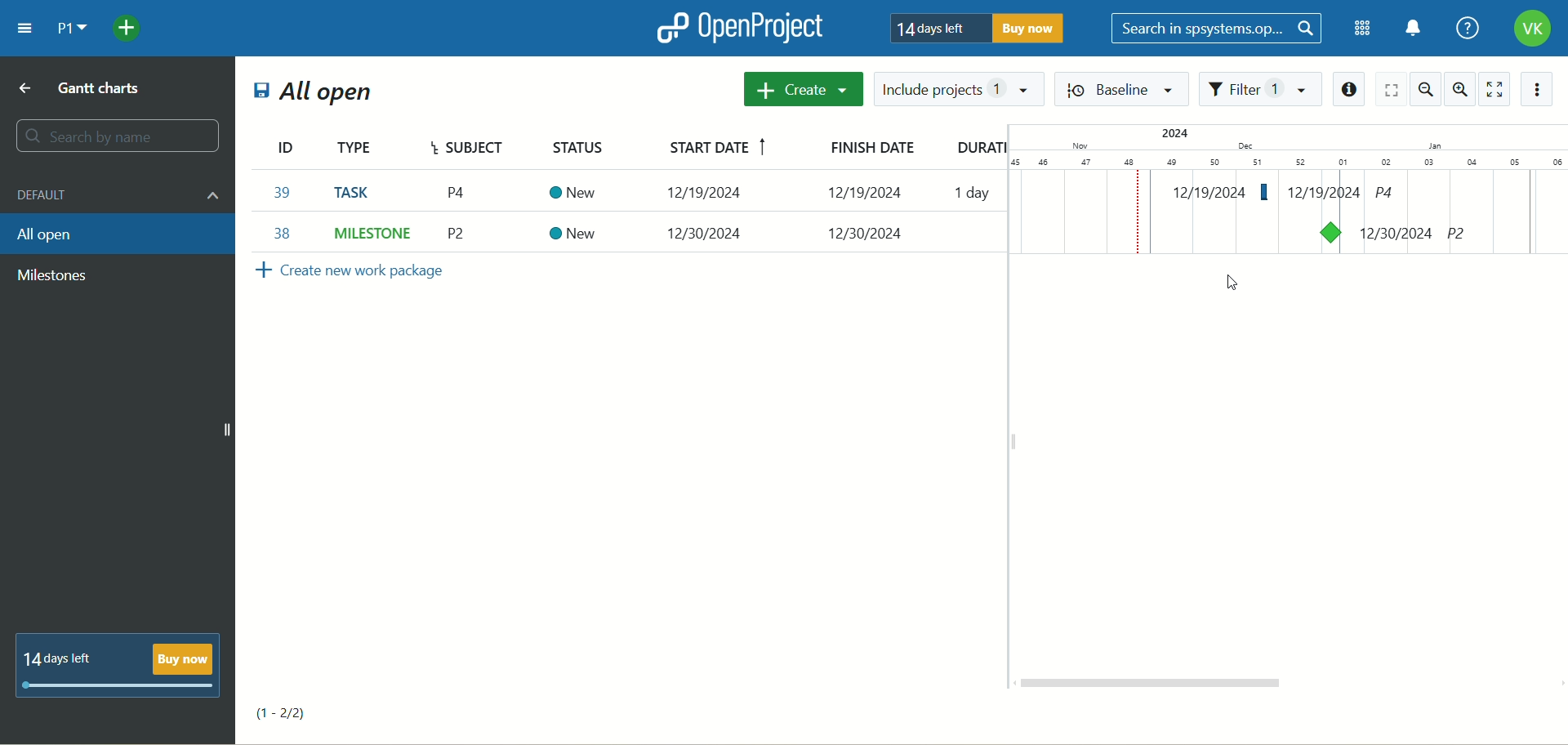 The image size is (1568, 745). Describe the element at coordinates (1465, 238) in the screenshot. I see `P2` at that location.